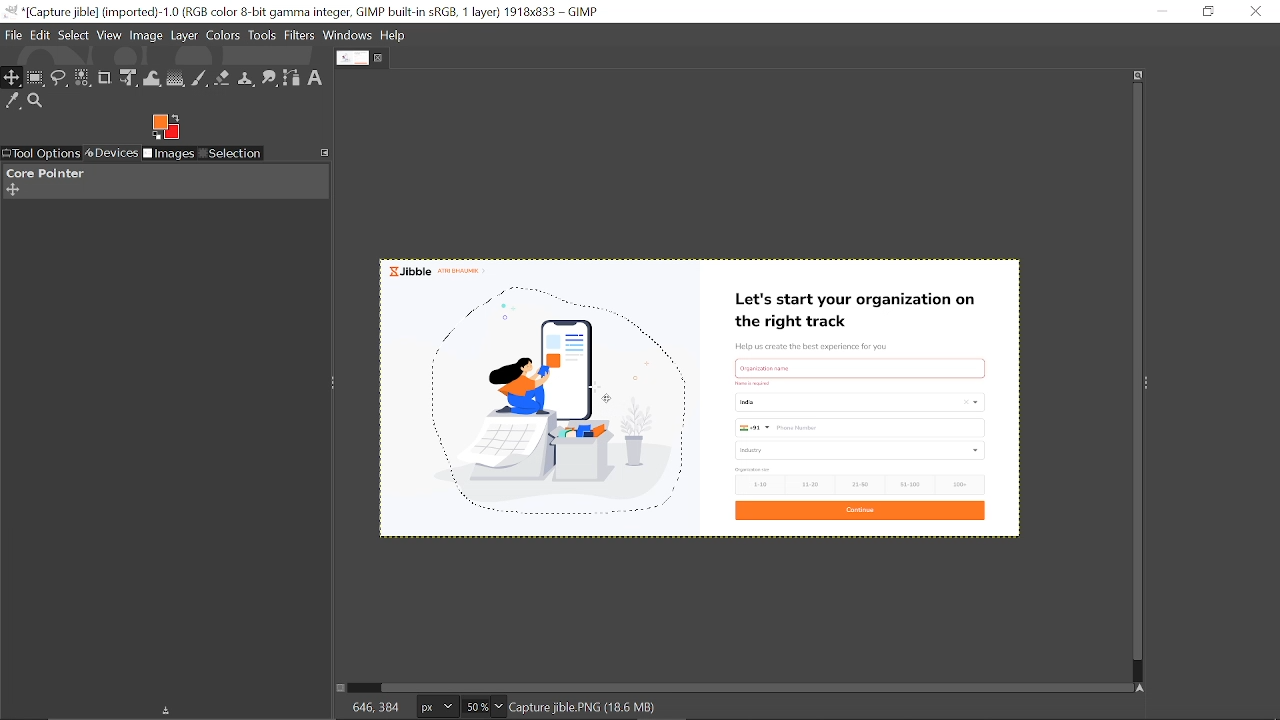 The image size is (1280, 720). What do you see at coordinates (169, 155) in the screenshot?
I see `images` at bounding box center [169, 155].